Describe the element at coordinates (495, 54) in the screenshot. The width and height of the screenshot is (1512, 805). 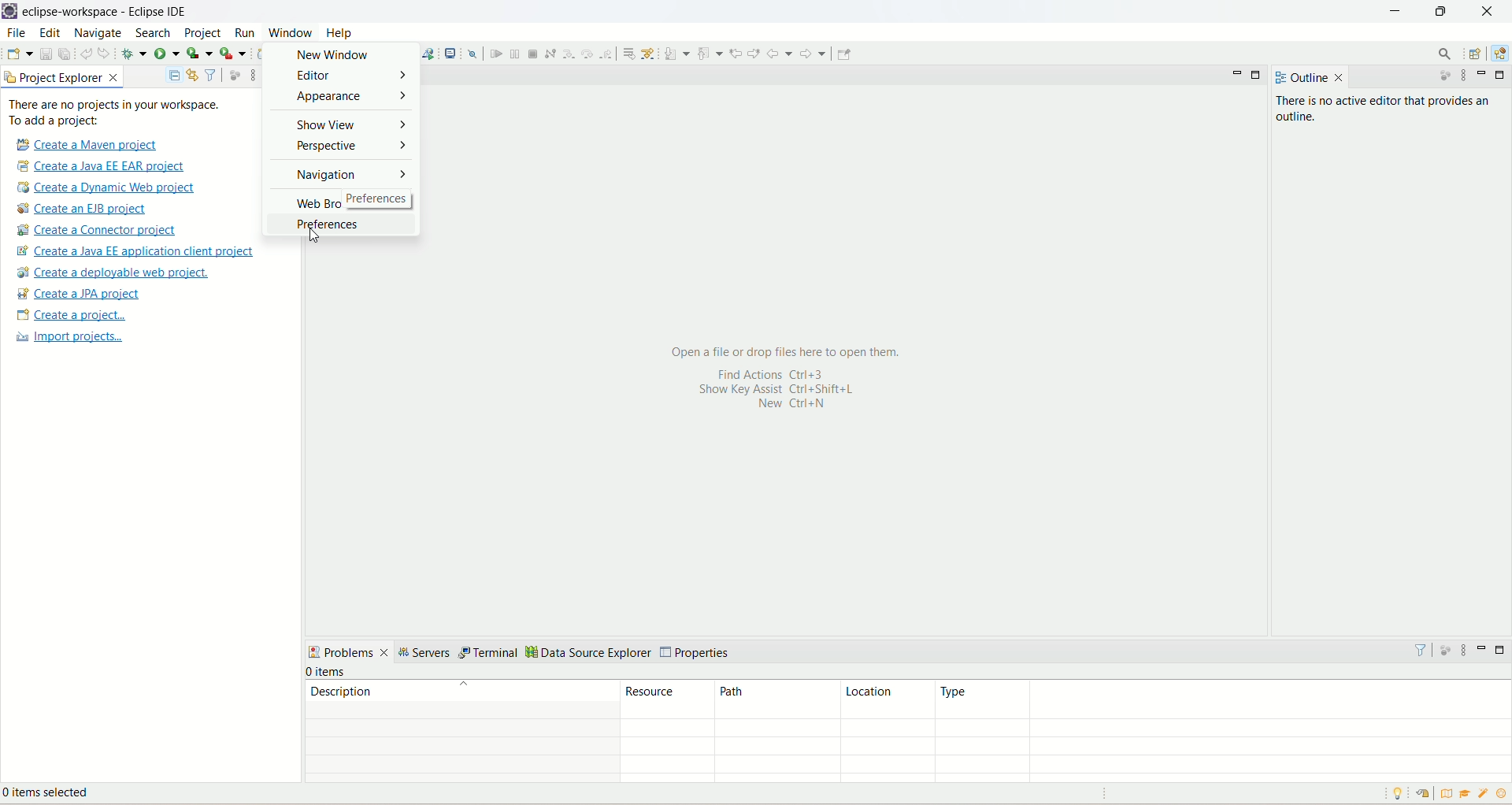
I see `resume` at that location.